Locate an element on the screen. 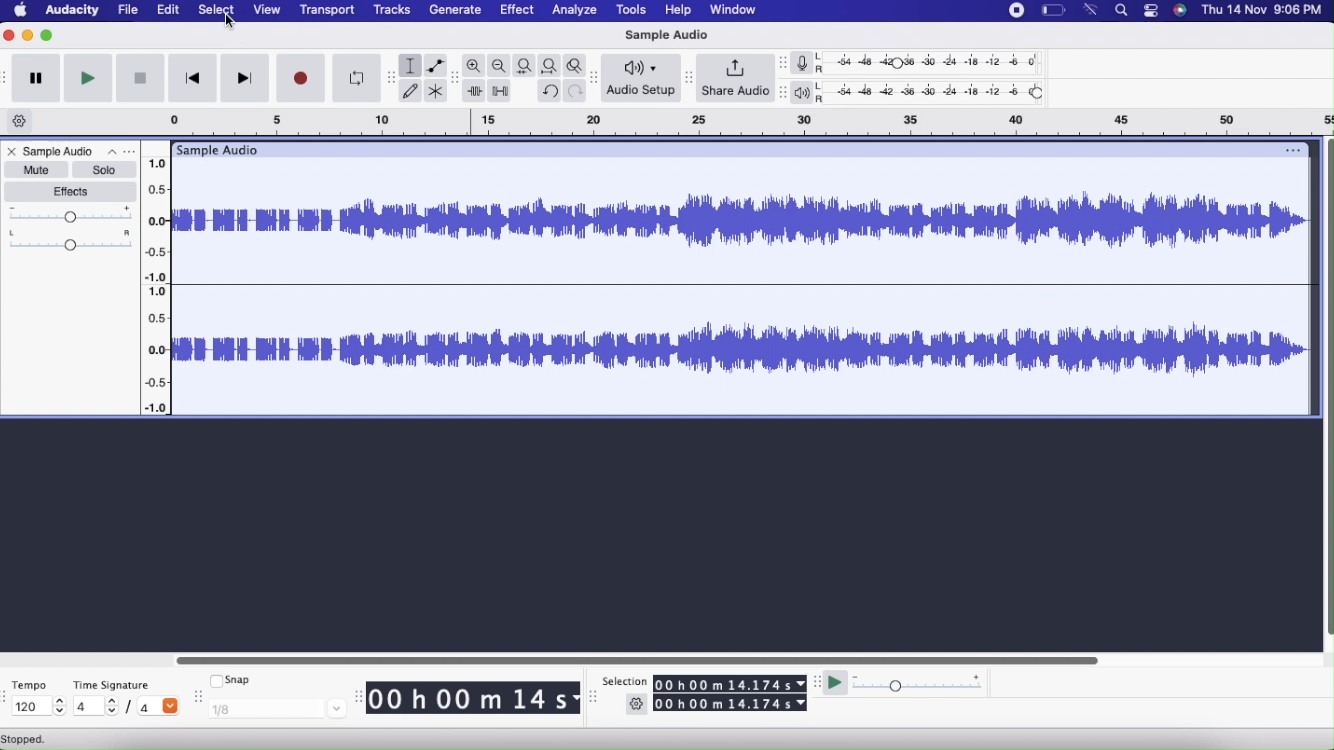  Date & time is located at coordinates (1262, 10).